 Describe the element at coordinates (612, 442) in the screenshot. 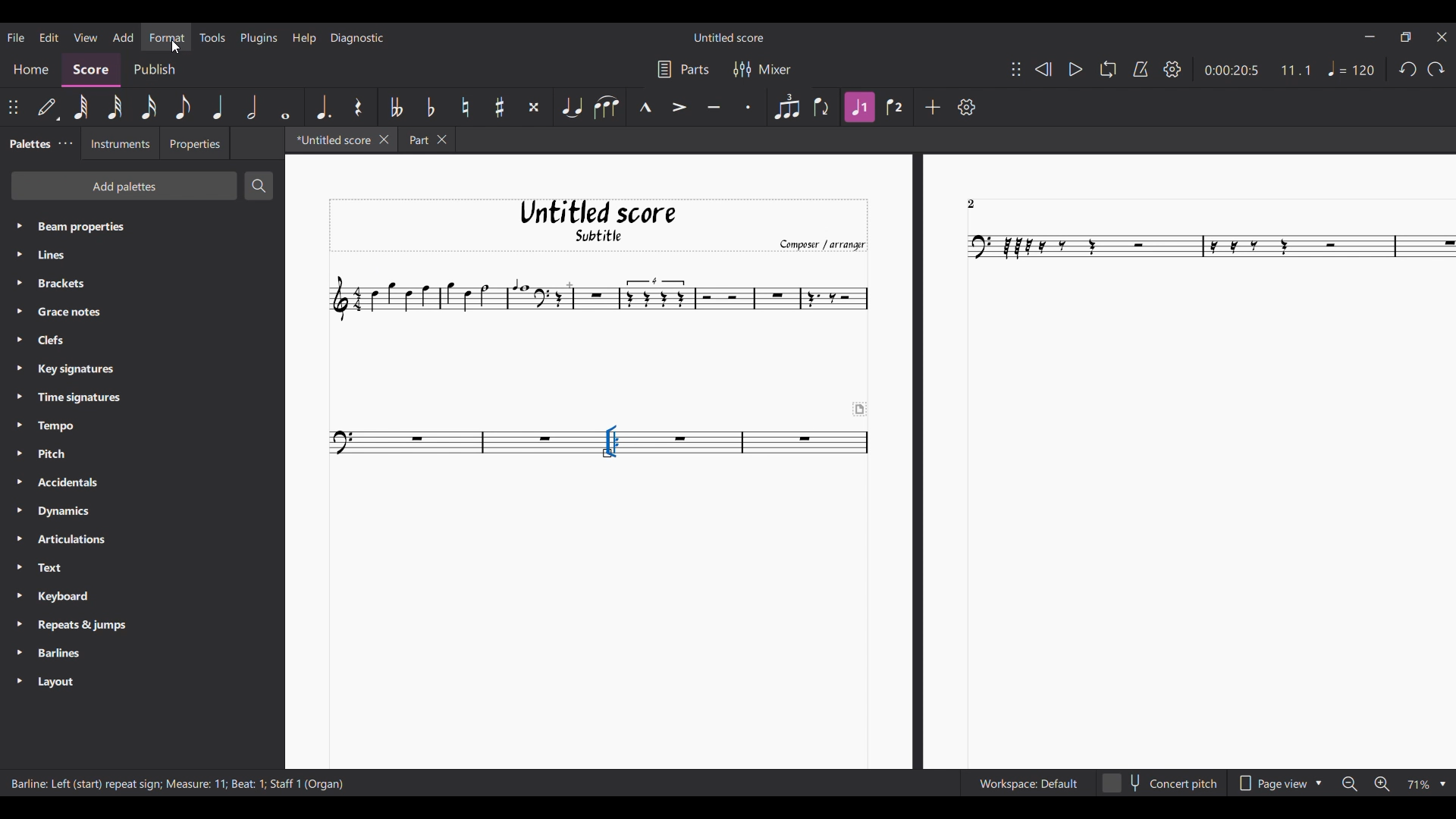

I see `Highlighted by cursor` at that location.